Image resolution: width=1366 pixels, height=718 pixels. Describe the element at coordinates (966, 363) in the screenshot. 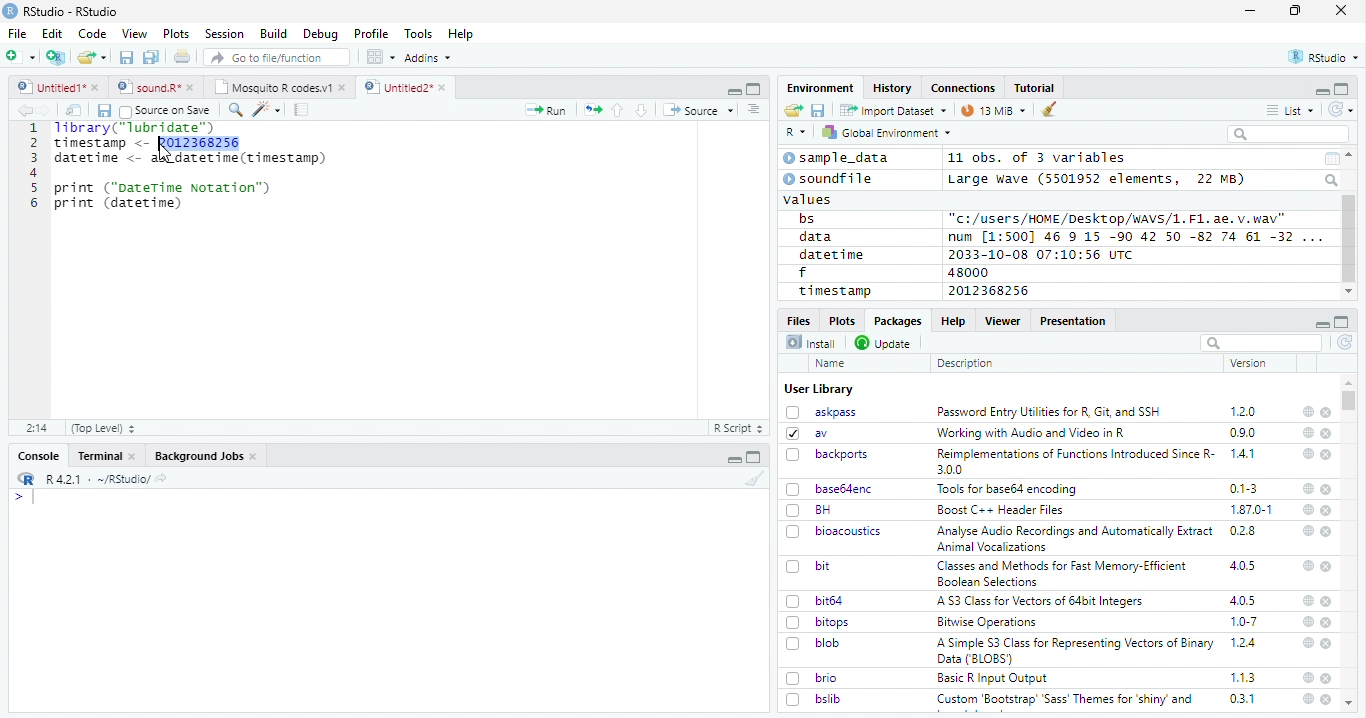

I see `Description` at that location.